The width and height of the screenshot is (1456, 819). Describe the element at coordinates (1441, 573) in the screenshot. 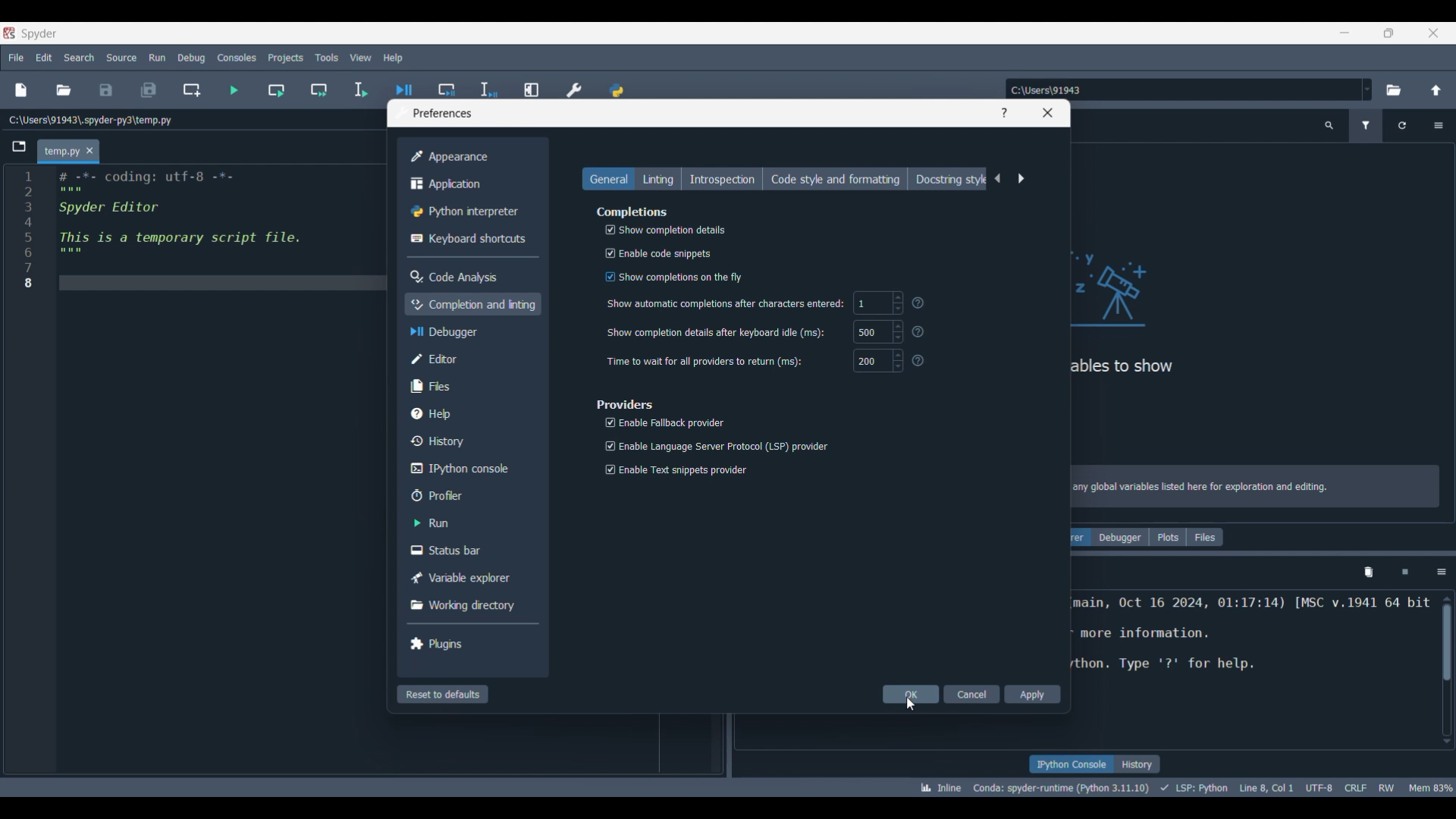

I see `Options` at that location.